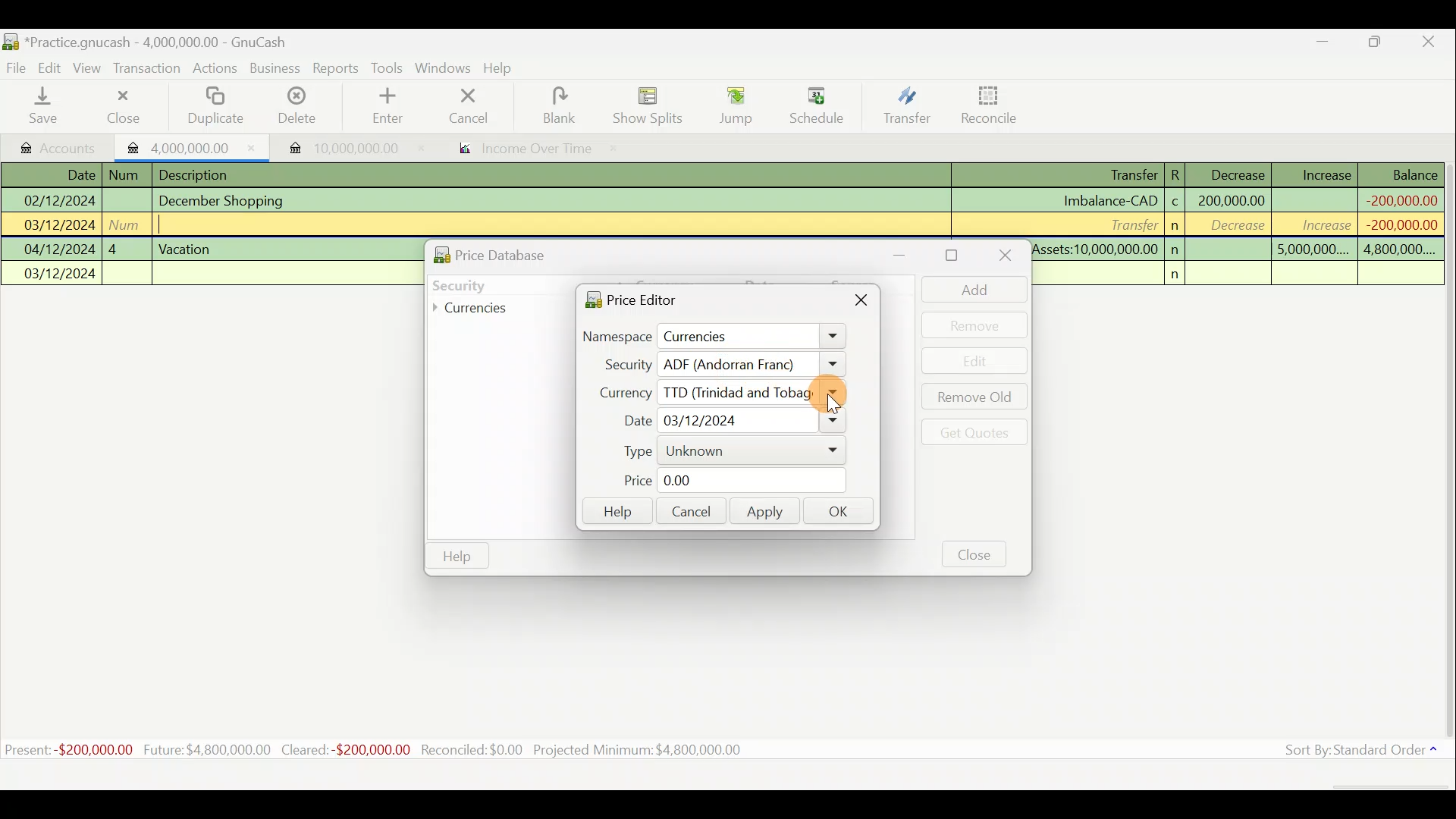 This screenshot has width=1456, height=819. I want to click on Balance, so click(1402, 174).